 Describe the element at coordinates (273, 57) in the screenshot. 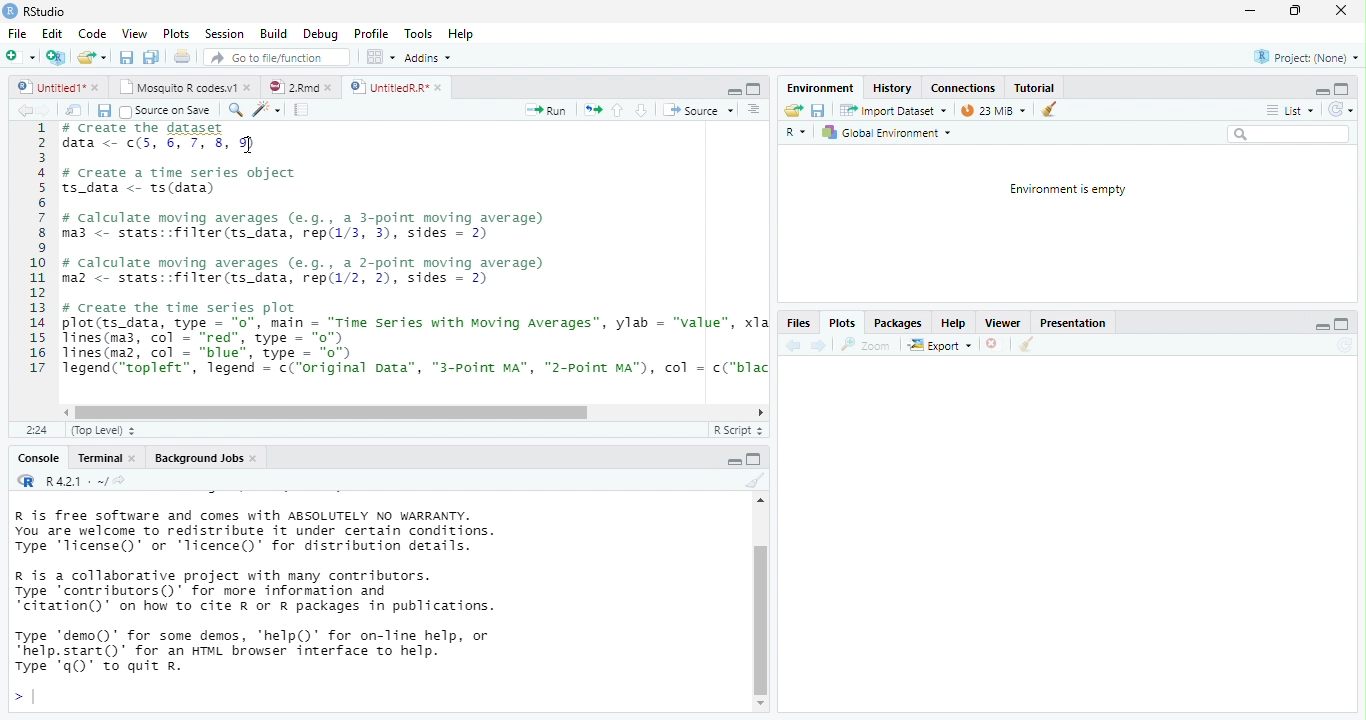

I see `Go to file/function` at that location.